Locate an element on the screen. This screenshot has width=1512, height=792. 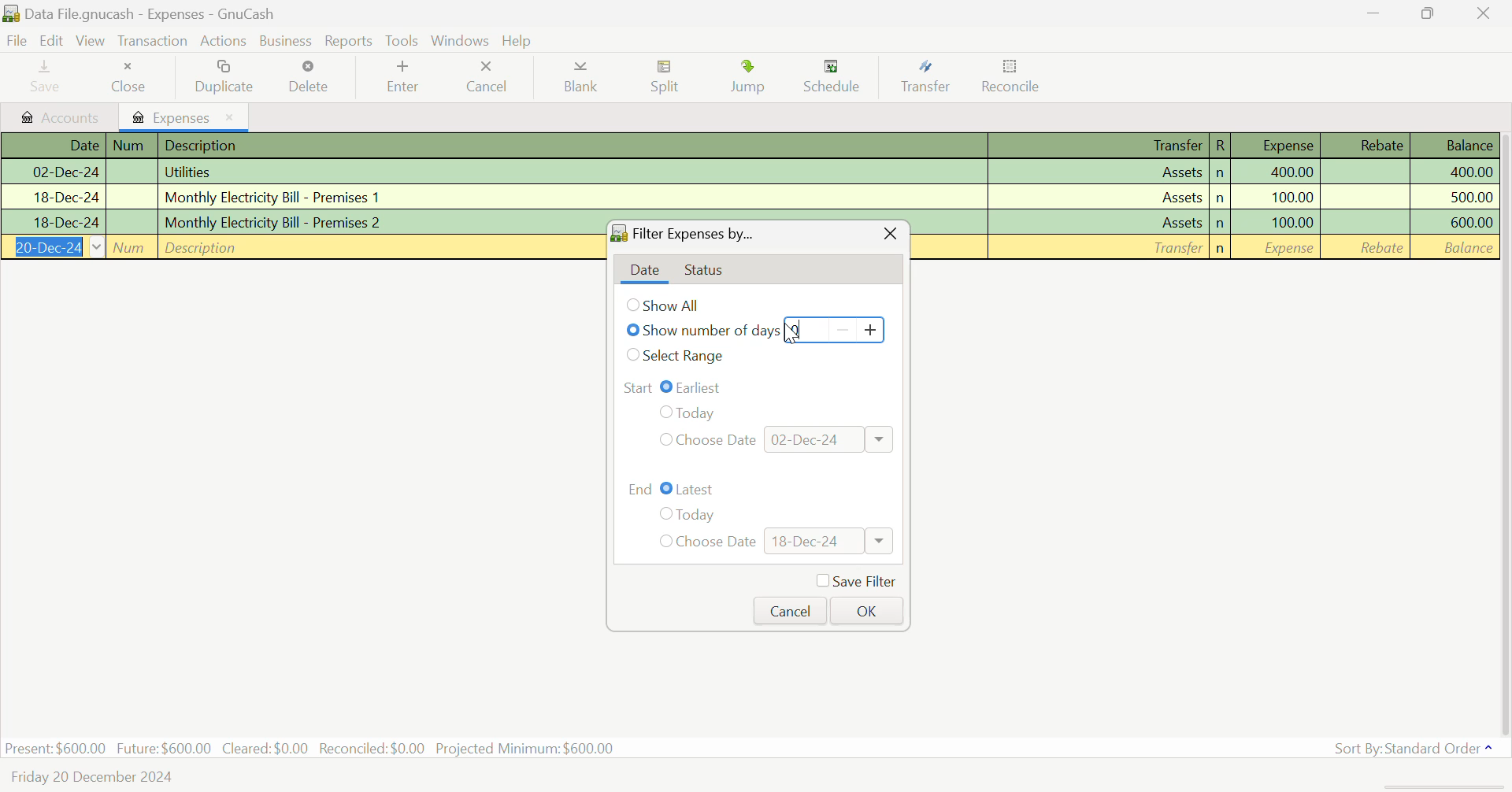
Accounts tab is located at coordinates (60, 116).